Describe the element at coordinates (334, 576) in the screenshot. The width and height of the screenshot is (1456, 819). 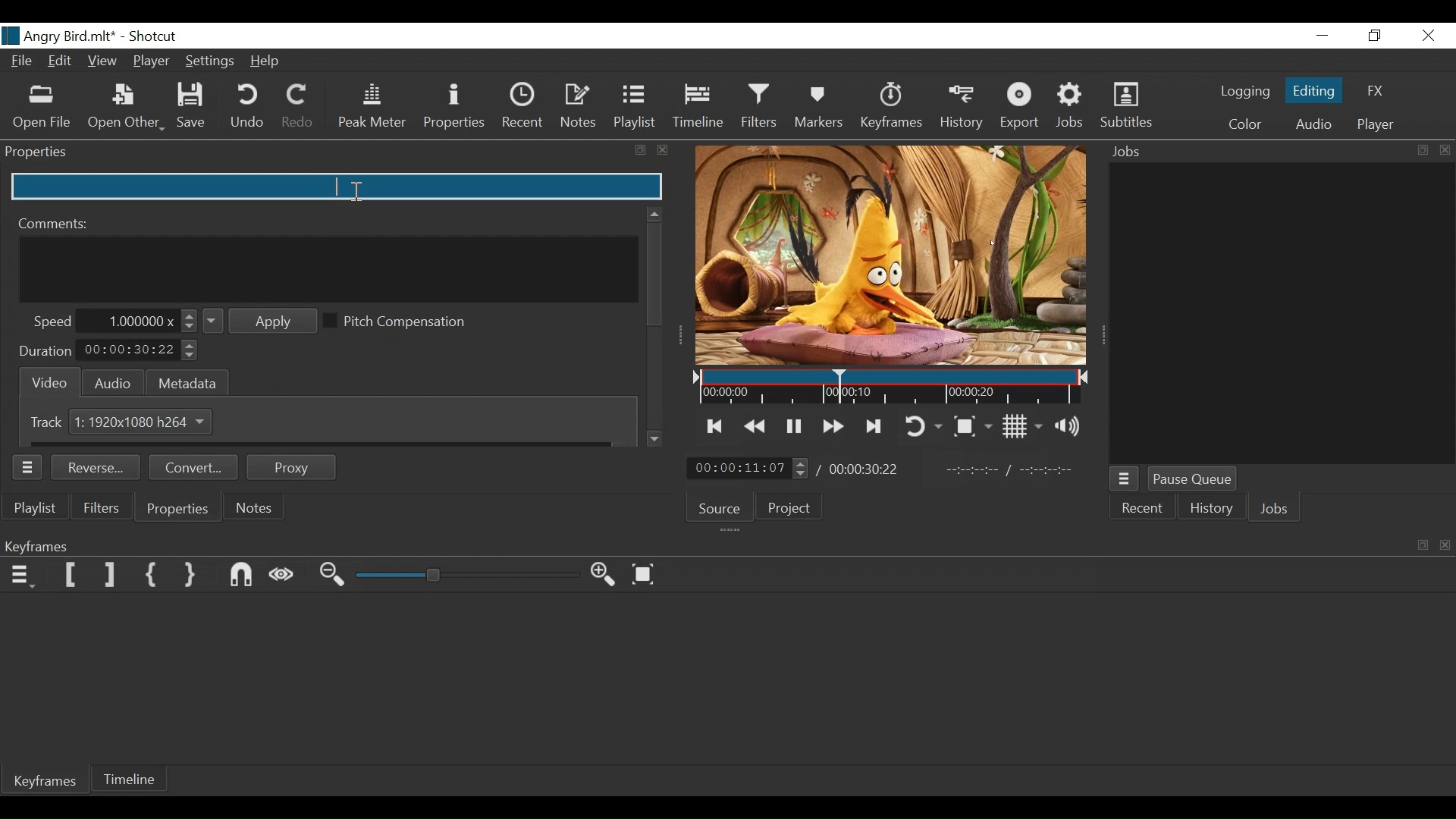
I see `Zoom Keyframe out` at that location.